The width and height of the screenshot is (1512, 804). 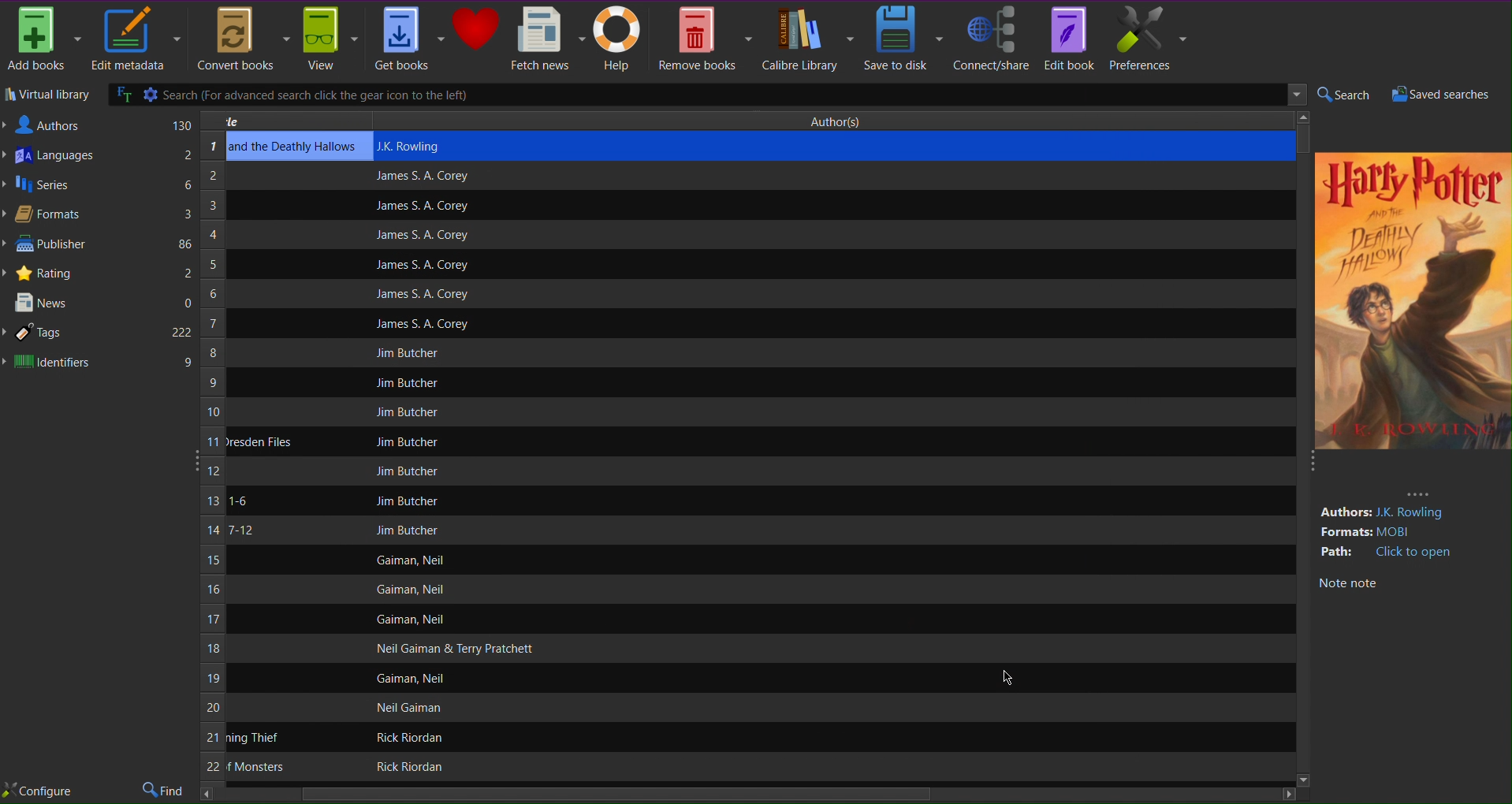 What do you see at coordinates (99, 157) in the screenshot?
I see `Languages` at bounding box center [99, 157].